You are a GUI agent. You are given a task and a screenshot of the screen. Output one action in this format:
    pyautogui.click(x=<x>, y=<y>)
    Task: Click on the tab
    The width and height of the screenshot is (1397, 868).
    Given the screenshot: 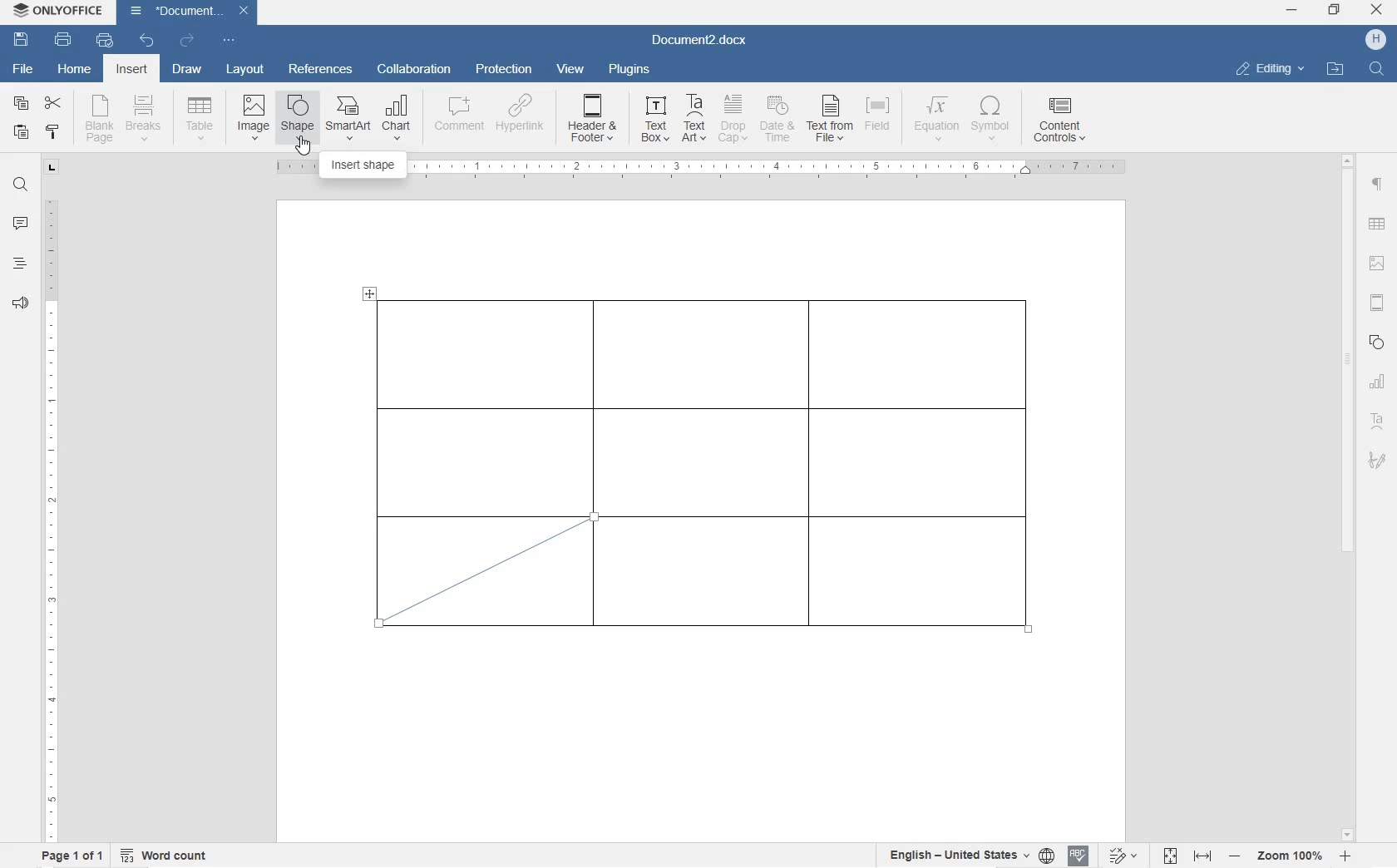 What is the action you would take?
    pyautogui.click(x=53, y=170)
    